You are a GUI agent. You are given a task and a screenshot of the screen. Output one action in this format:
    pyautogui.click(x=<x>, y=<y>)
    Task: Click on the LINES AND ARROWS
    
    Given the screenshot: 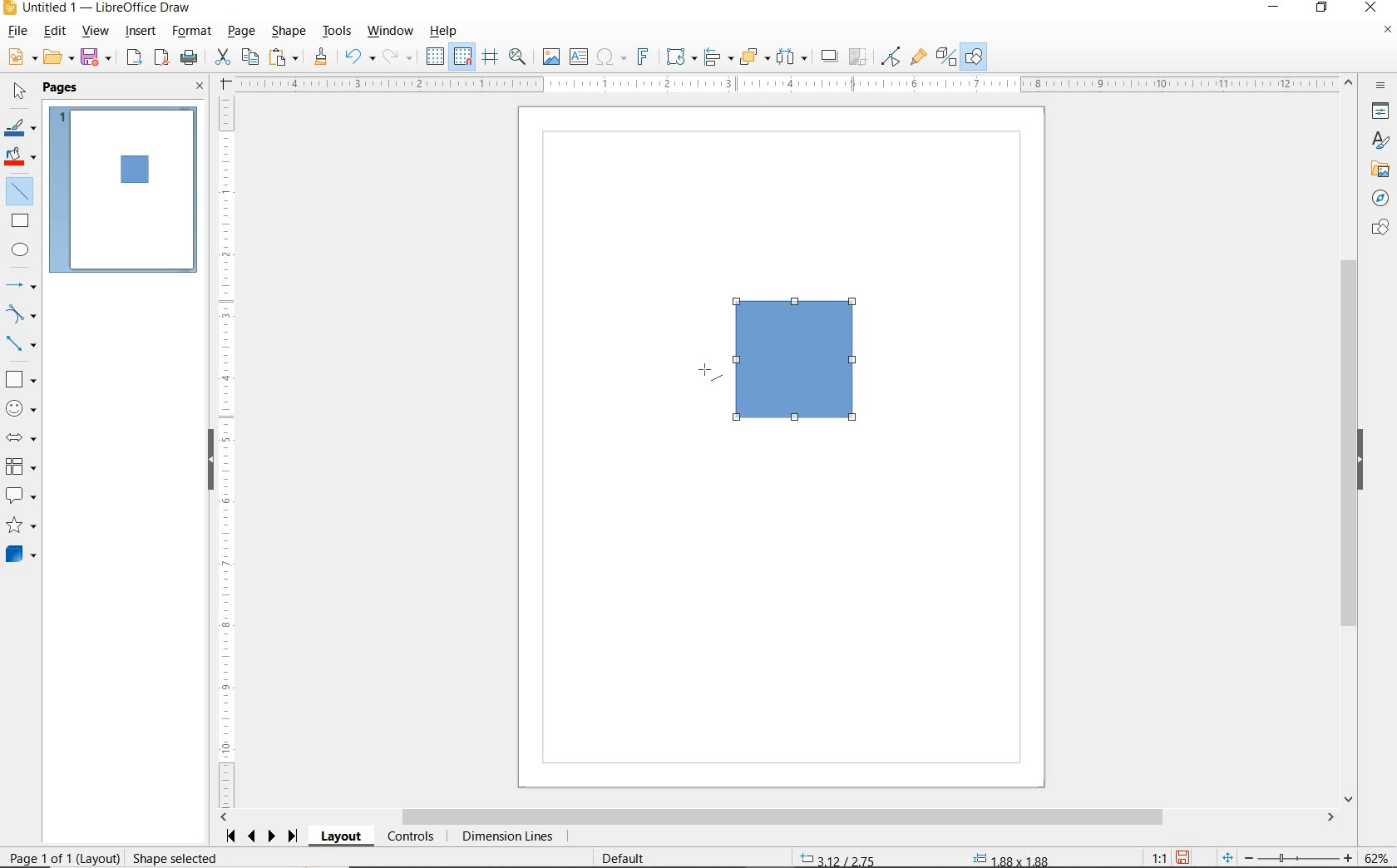 What is the action you would take?
    pyautogui.click(x=22, y=285)
    